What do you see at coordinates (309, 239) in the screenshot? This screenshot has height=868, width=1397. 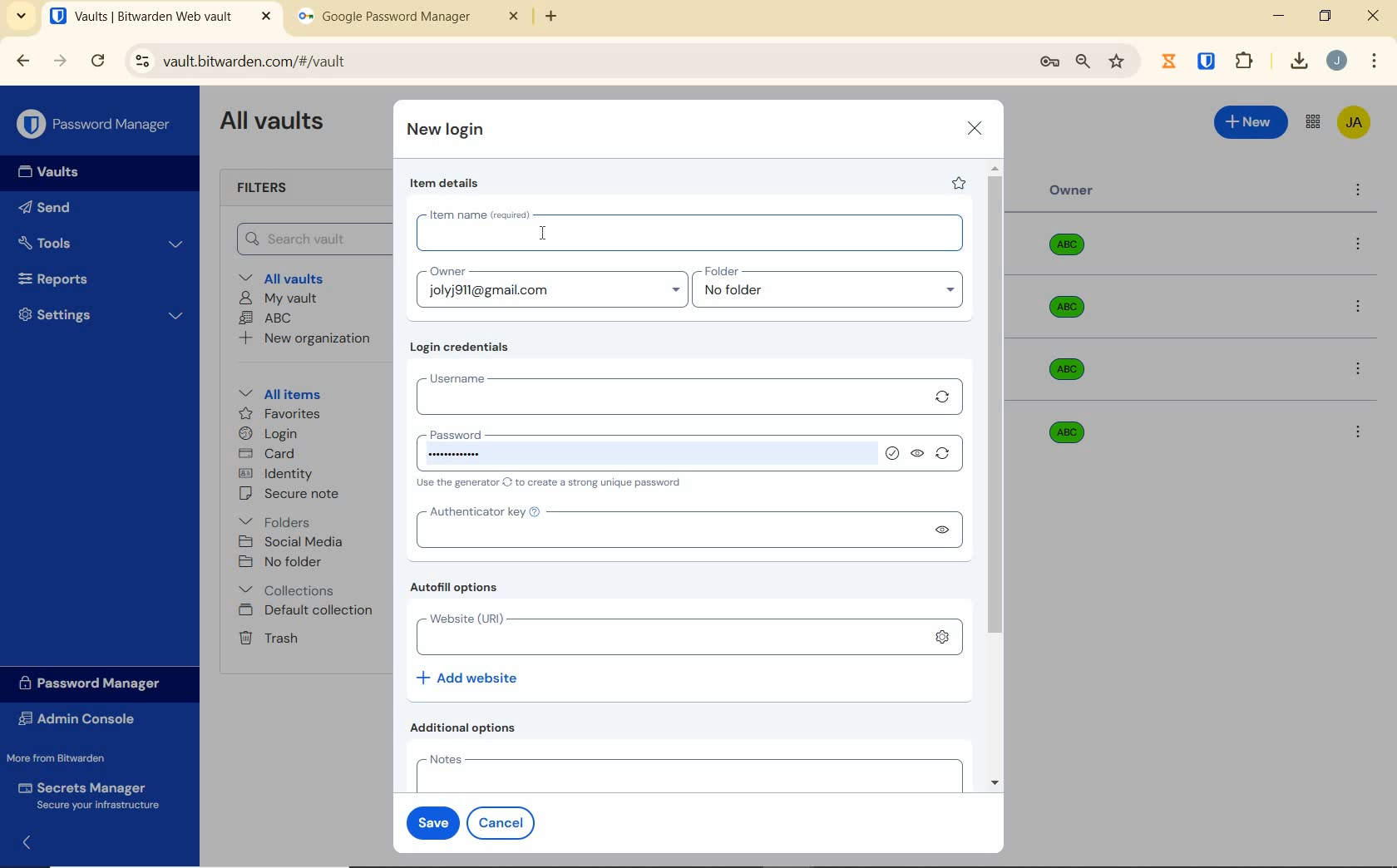 I see `Search Vault` at bounding box center [309, 239].